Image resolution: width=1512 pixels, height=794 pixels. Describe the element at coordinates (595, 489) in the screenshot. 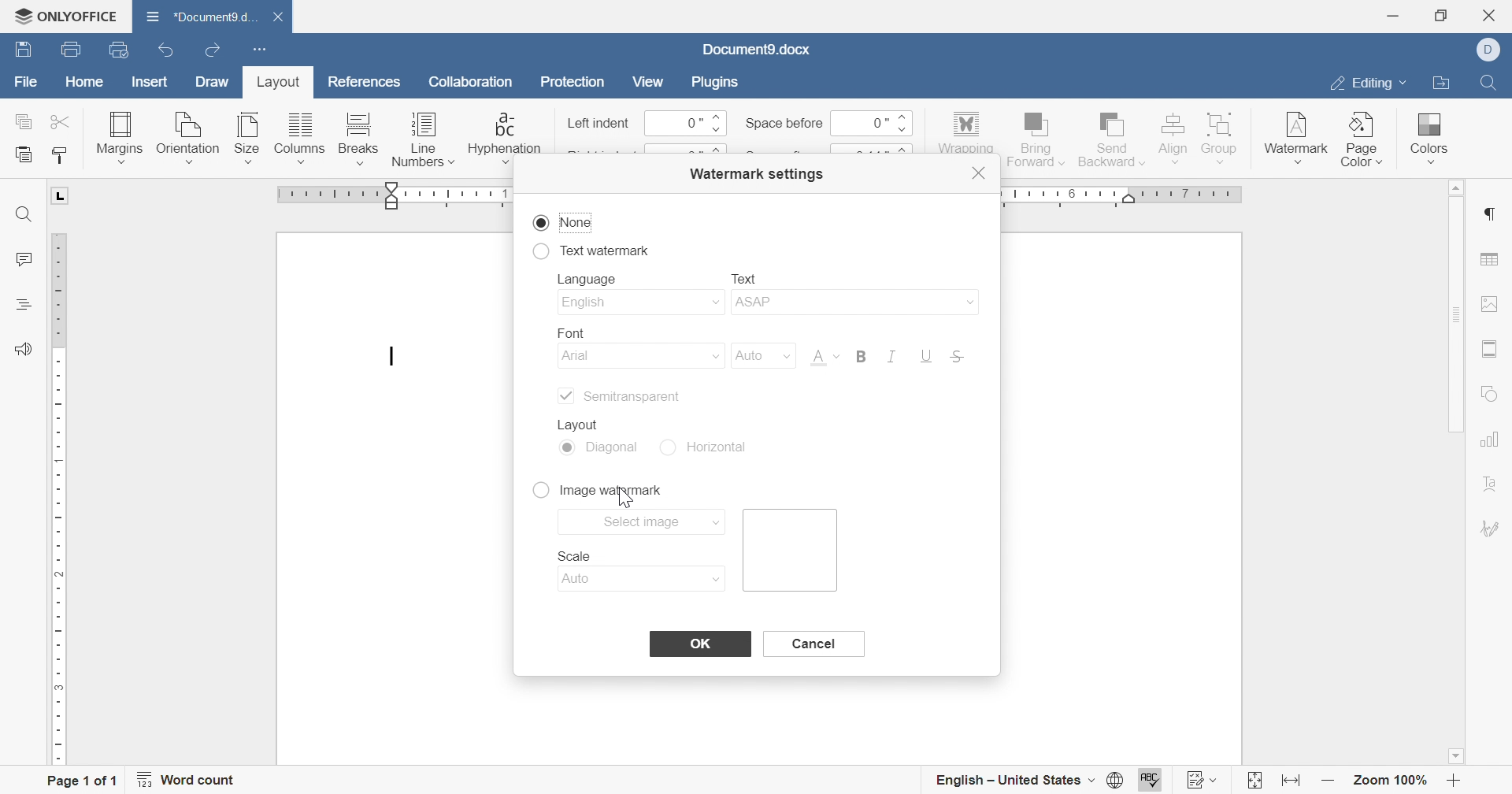

I see `image watermark` at that location.